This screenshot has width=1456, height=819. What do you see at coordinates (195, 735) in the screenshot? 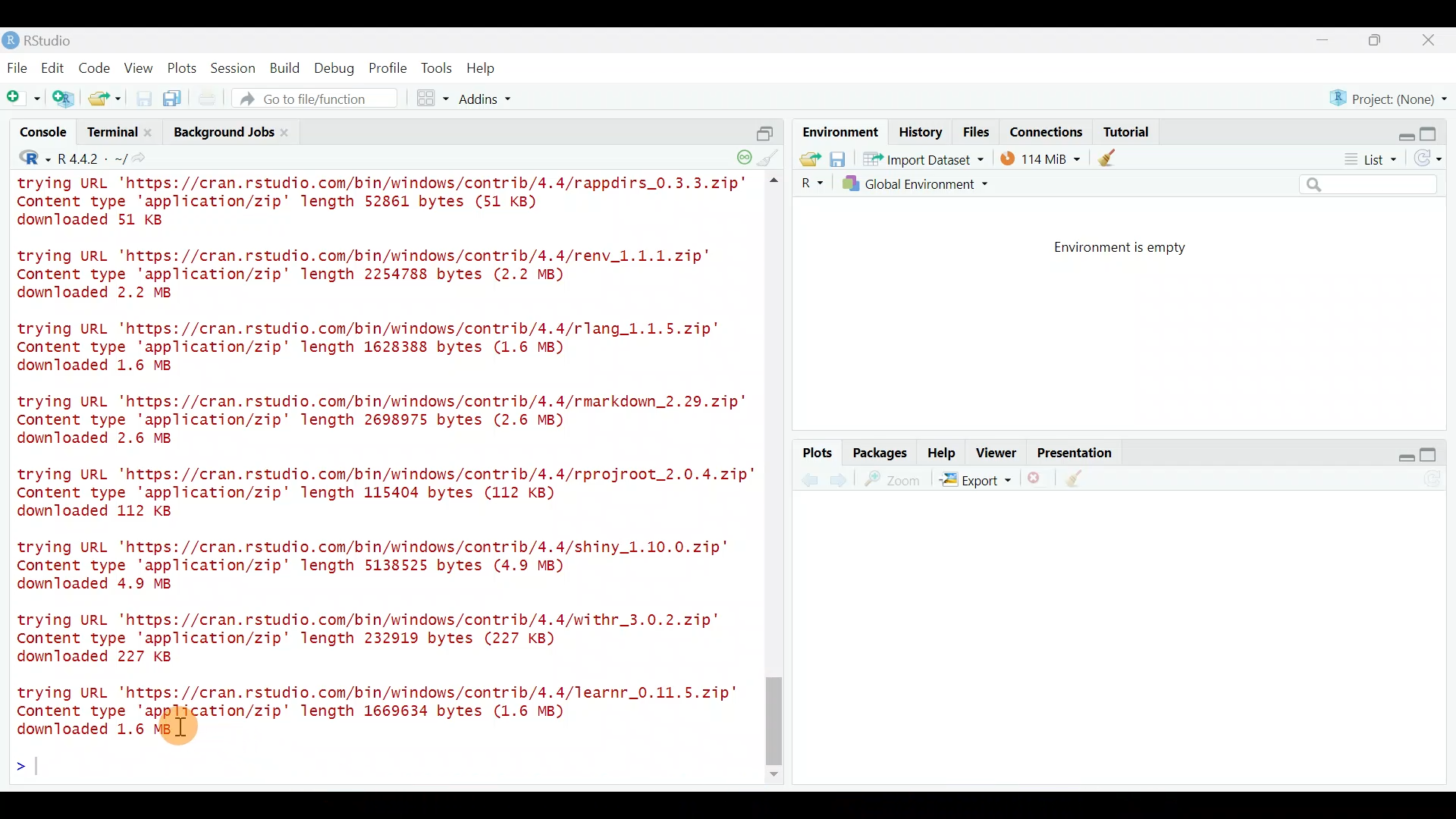
I see `Cursor` at bounding box center [195, 735].